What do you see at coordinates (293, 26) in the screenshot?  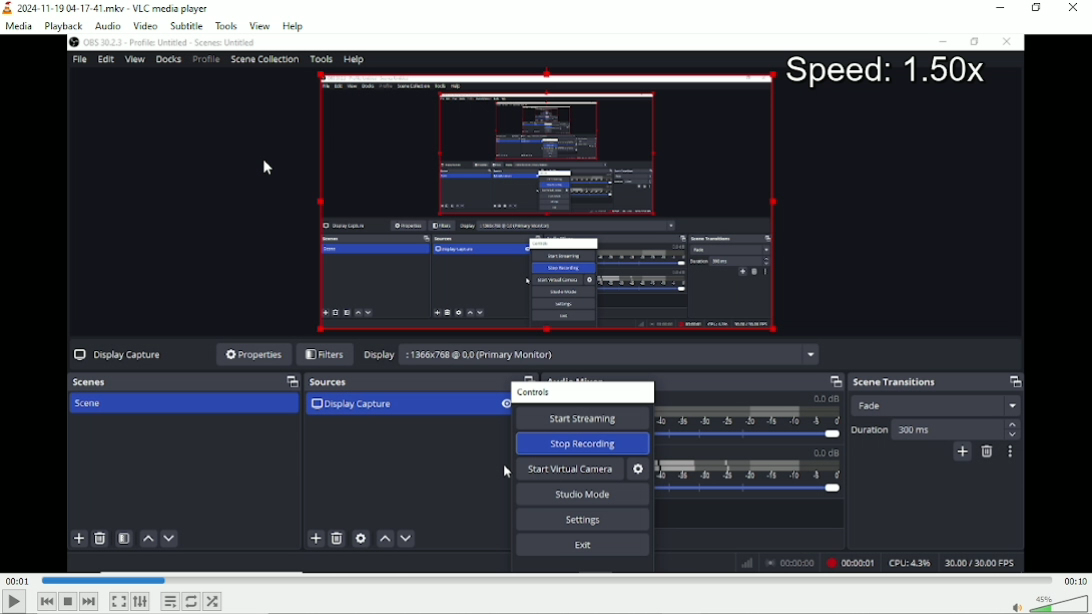 I see `help` at bounding box center [293, 26].